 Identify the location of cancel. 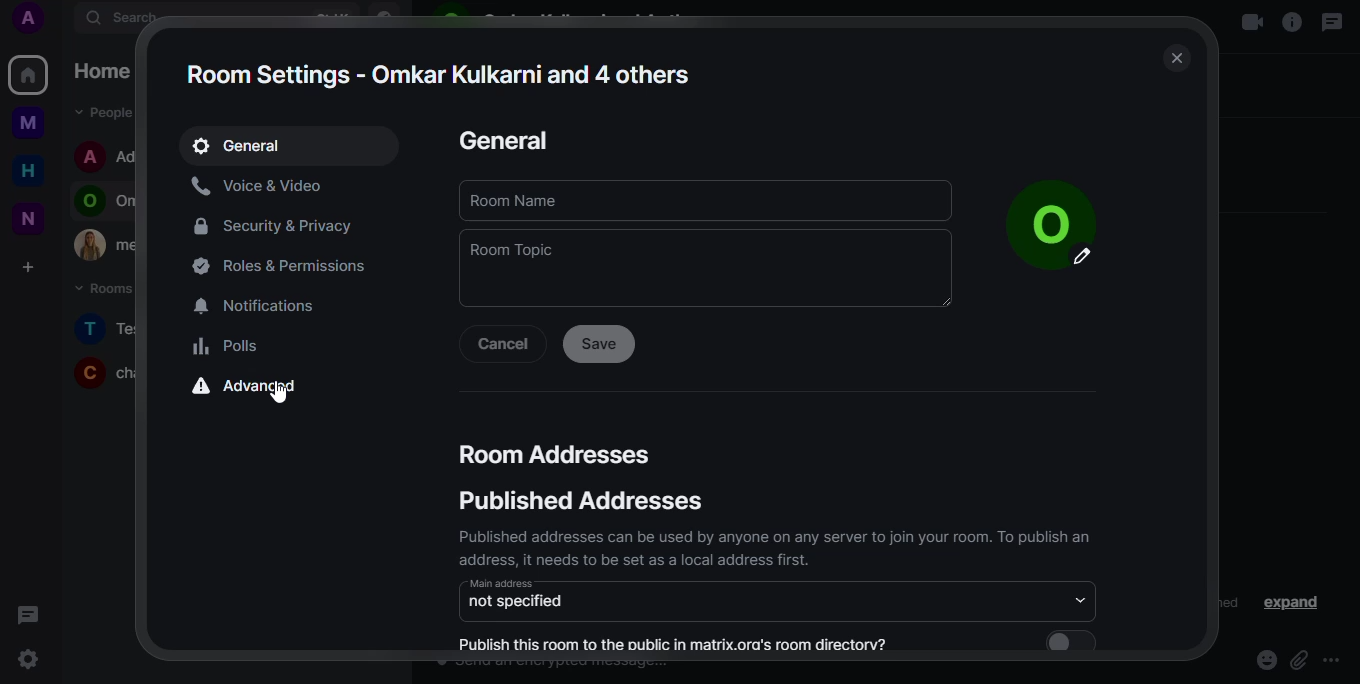
(504, 342).